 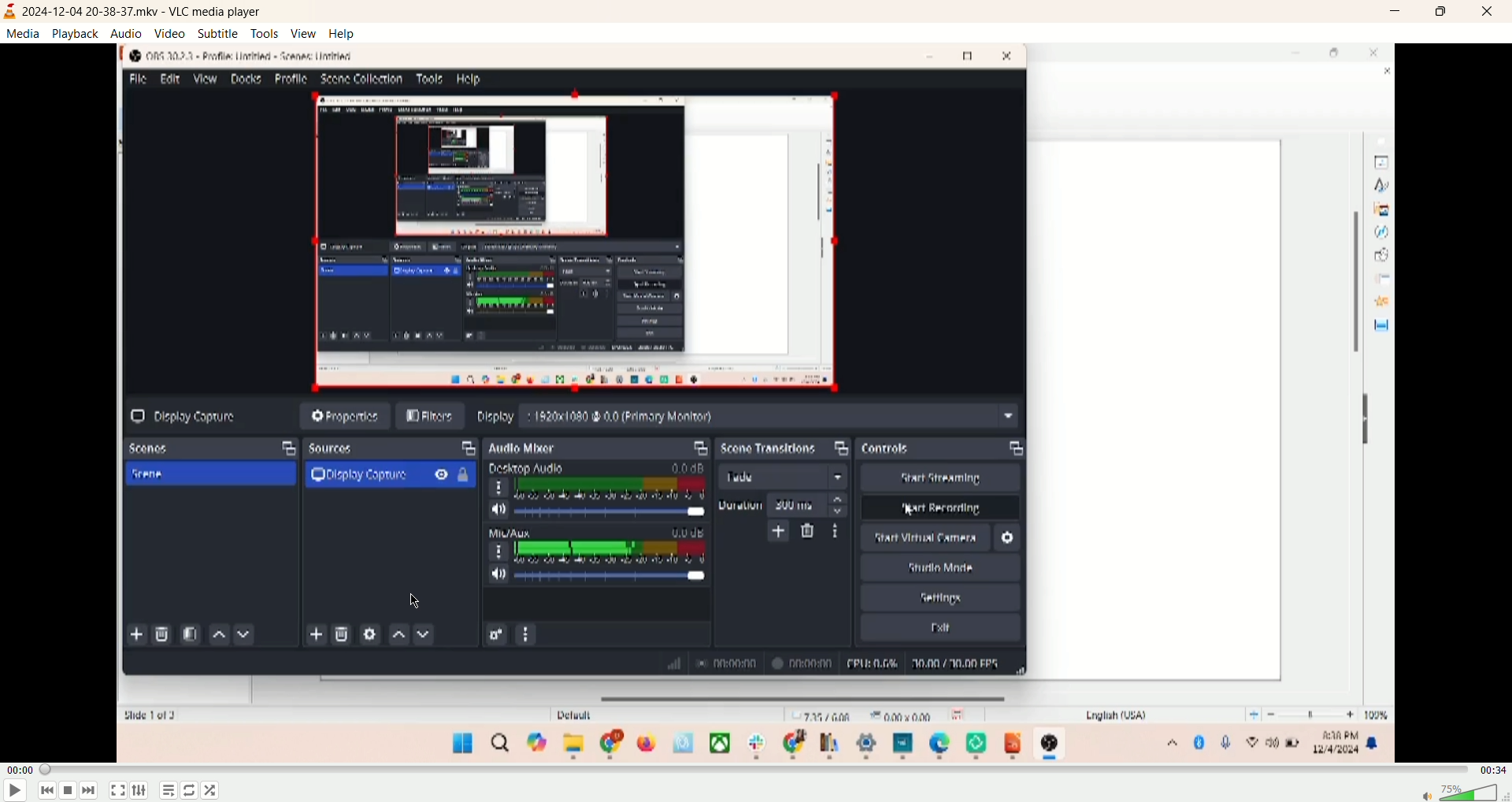 I want to click on audio, so click(x=127, y=33).